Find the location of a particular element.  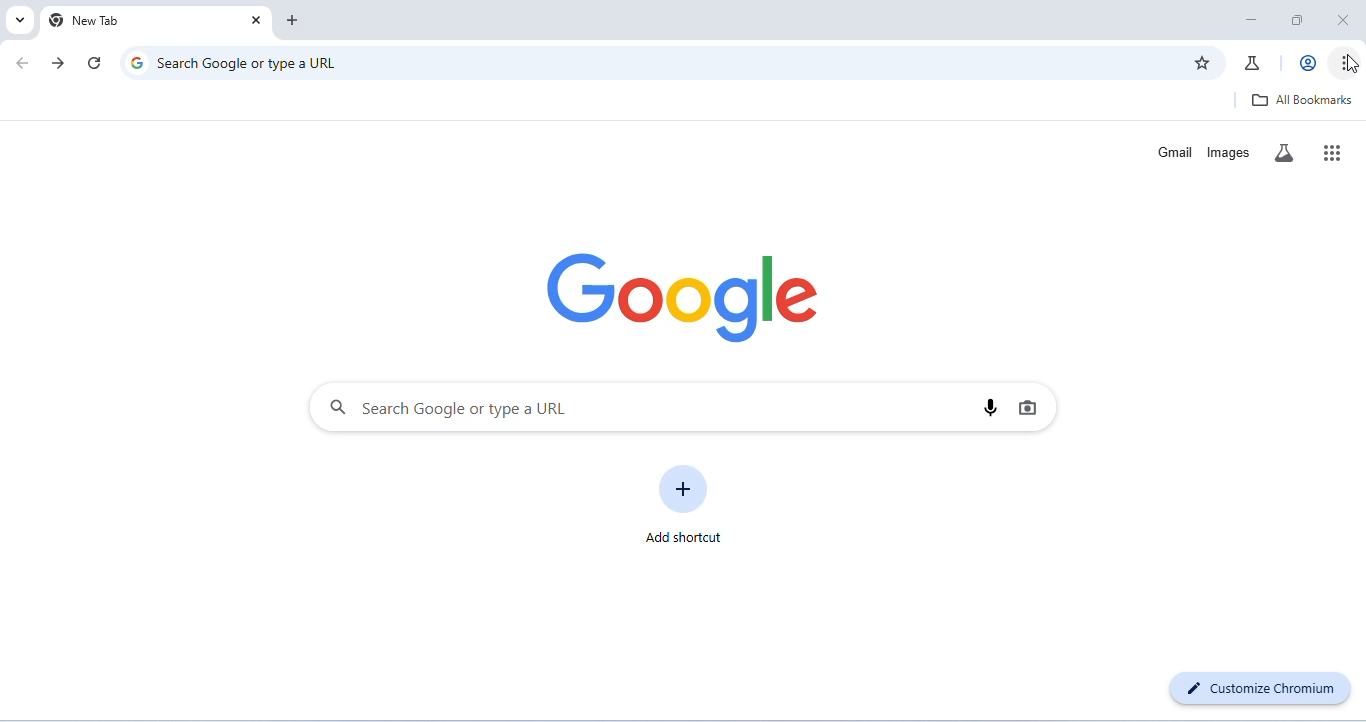

search google or type a URL is located at coordinates (262, 63).